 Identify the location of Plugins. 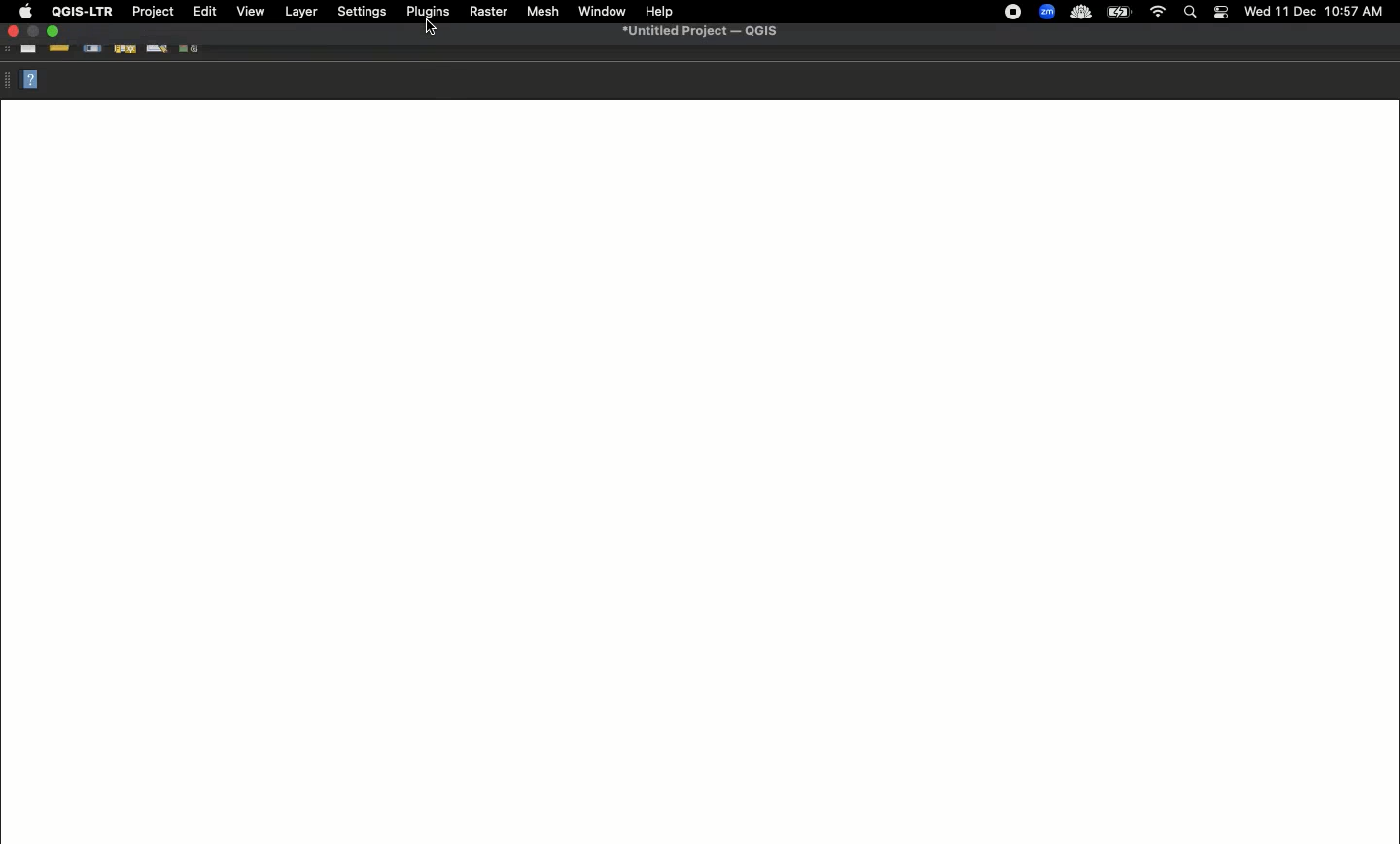
(427, 10).